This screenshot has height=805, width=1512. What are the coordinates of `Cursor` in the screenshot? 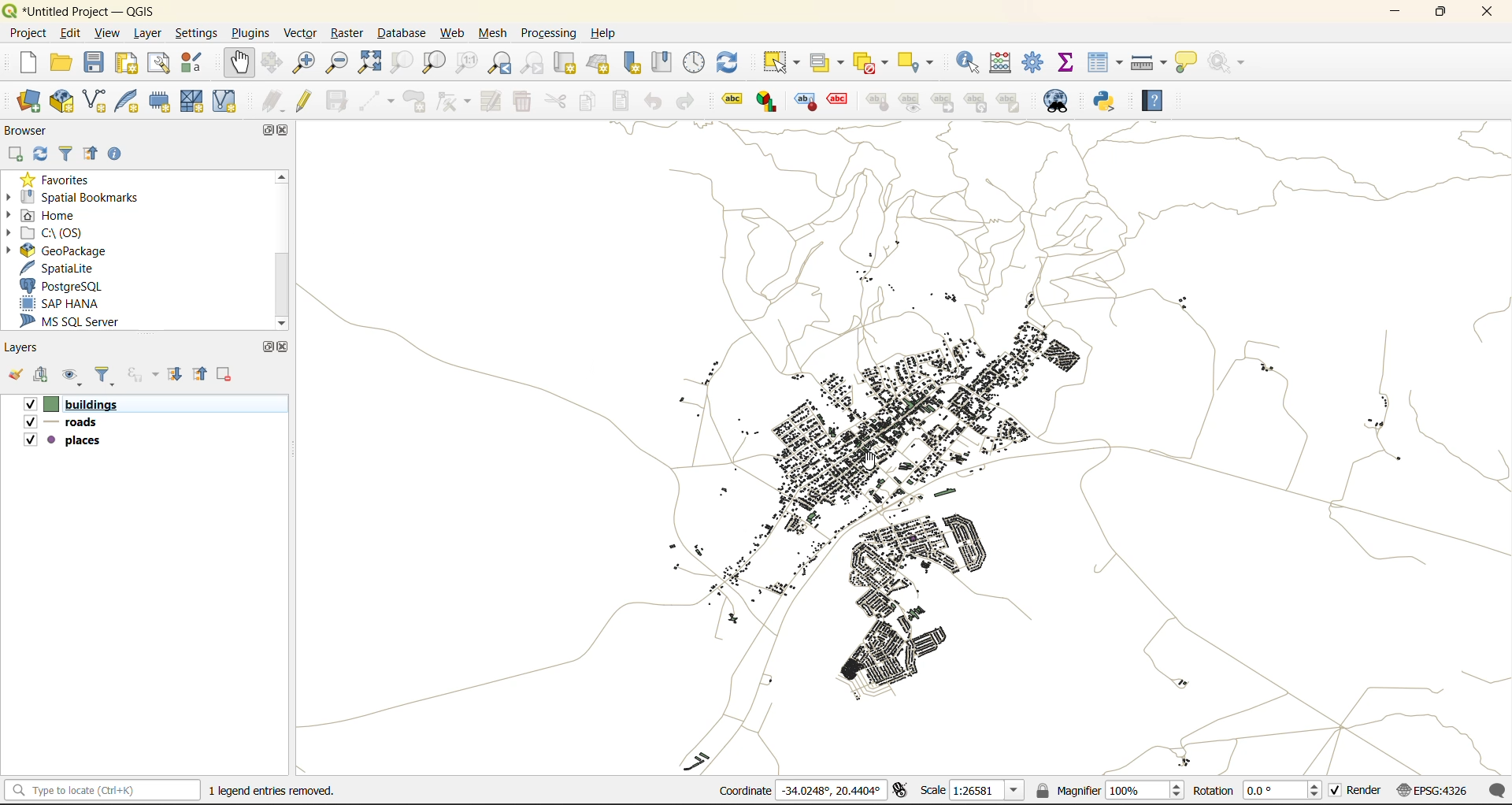 It's located at (219, 482).